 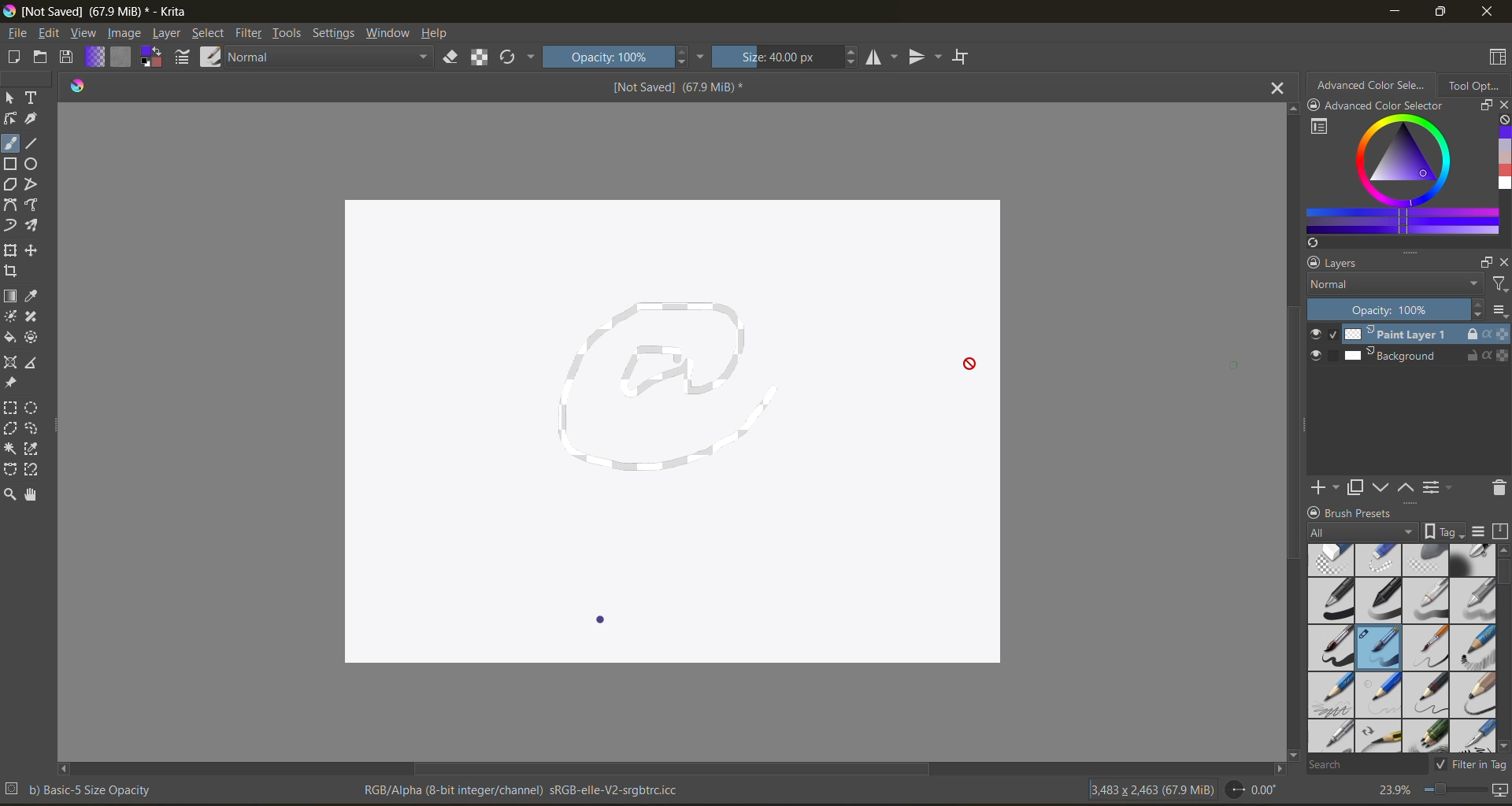 I want to click on set eraser mode, so click(x=452, y=57).